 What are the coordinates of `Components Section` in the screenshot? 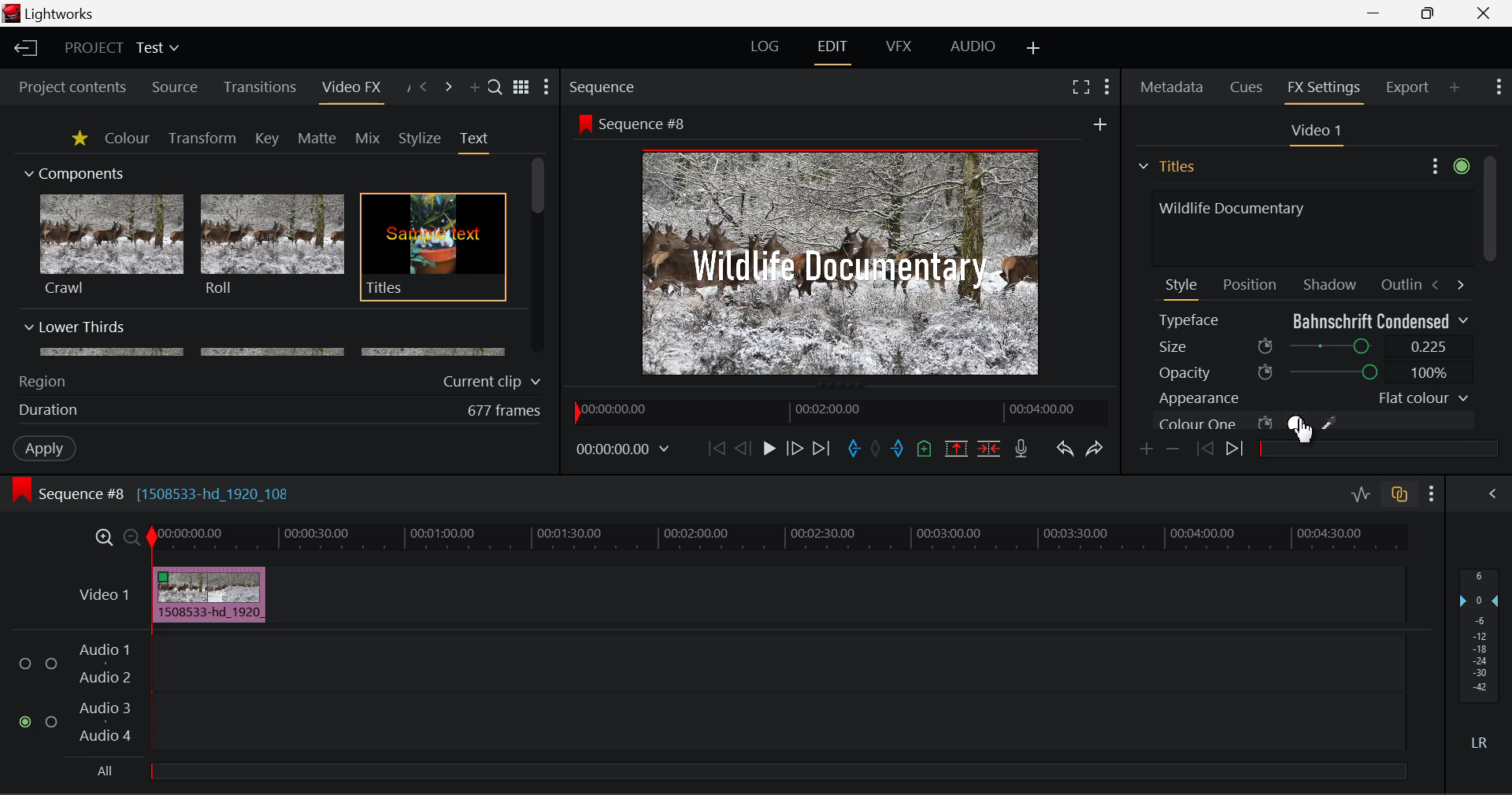 It's located at (72, 170).